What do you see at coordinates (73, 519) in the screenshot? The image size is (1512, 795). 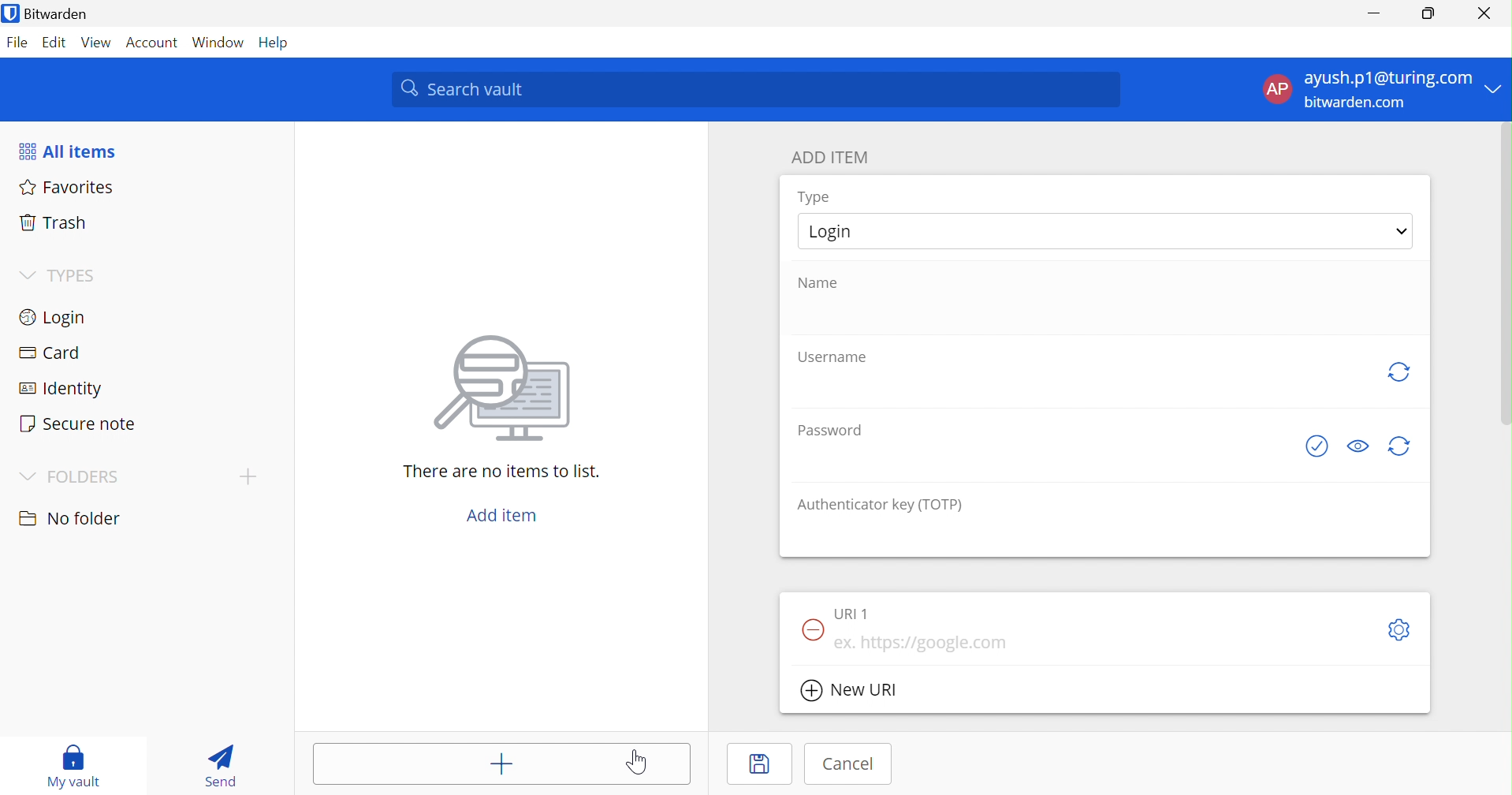 I see `No folder` at bounding box center [73, 519].